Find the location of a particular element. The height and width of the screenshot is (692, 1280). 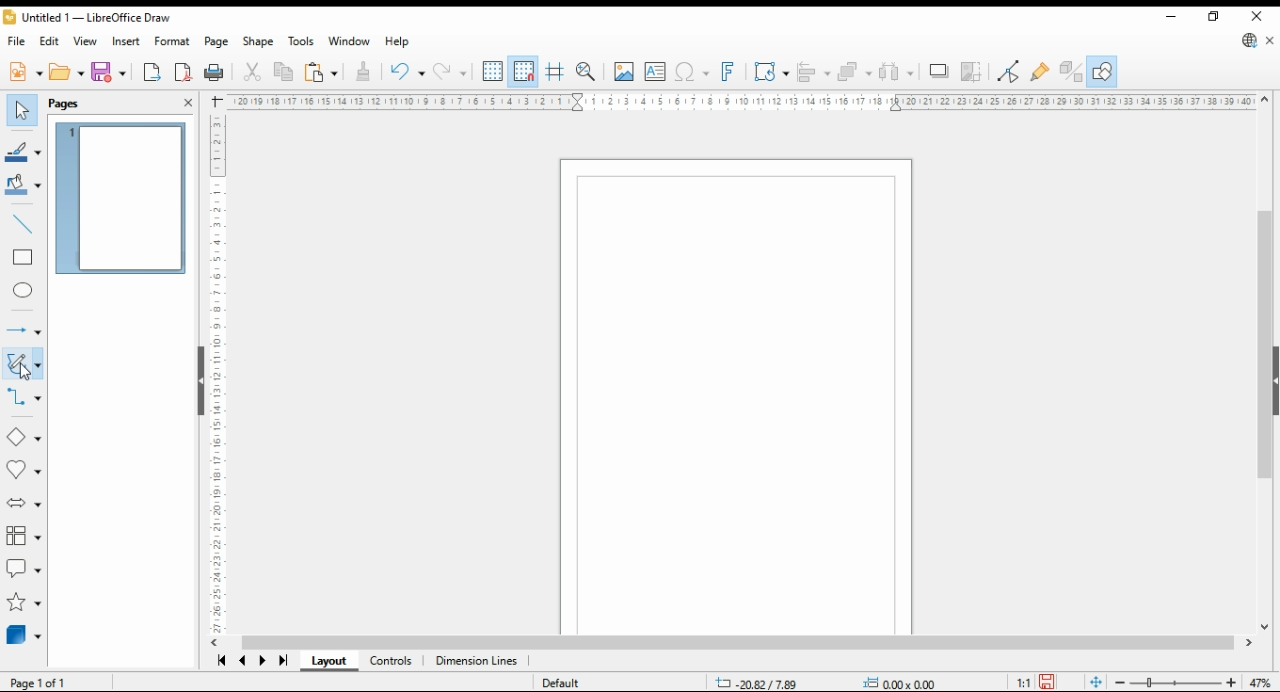

print is located at coordinates (215, 73).